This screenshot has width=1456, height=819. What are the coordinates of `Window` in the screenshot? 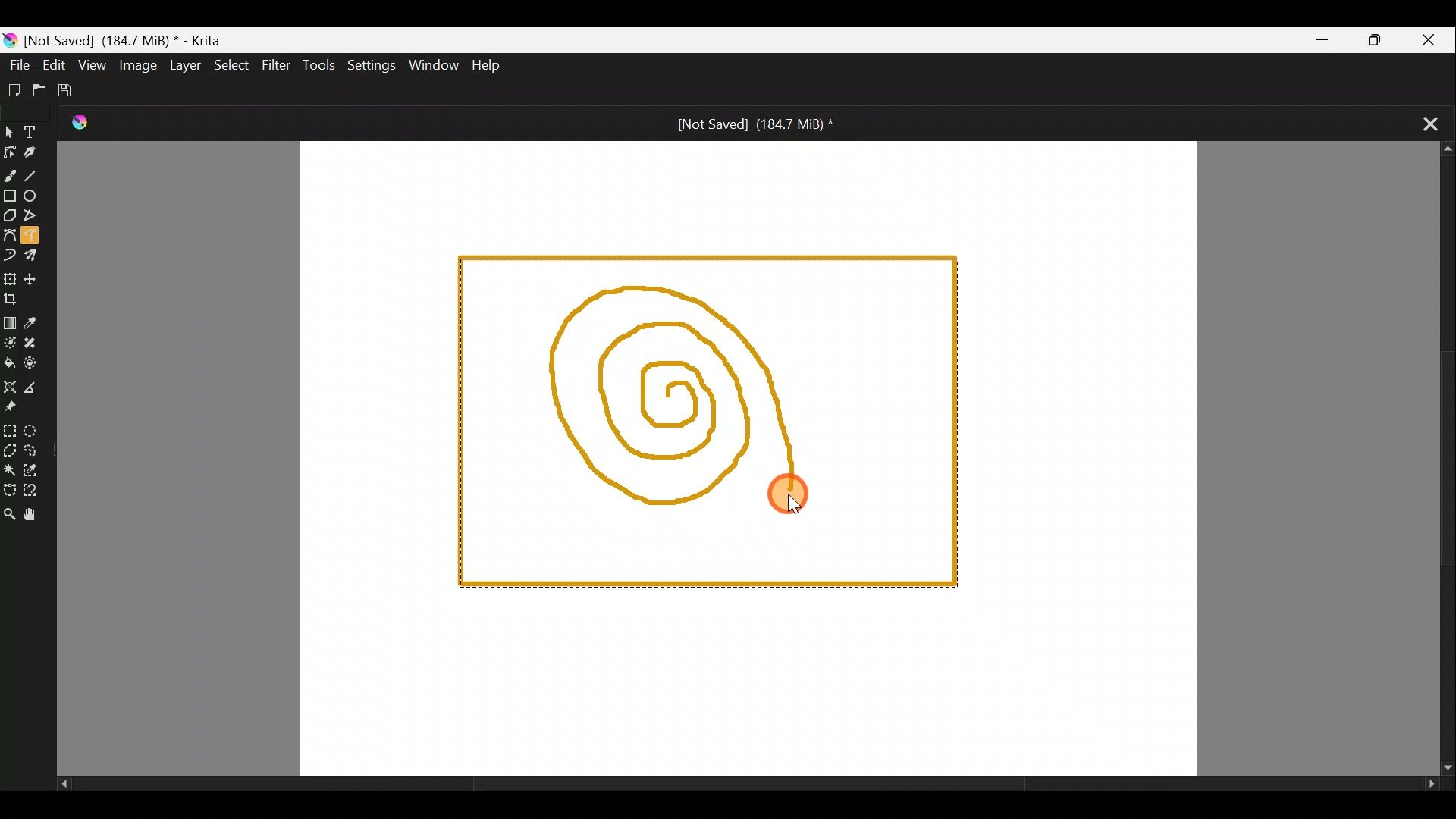 It's located at (431, 67).